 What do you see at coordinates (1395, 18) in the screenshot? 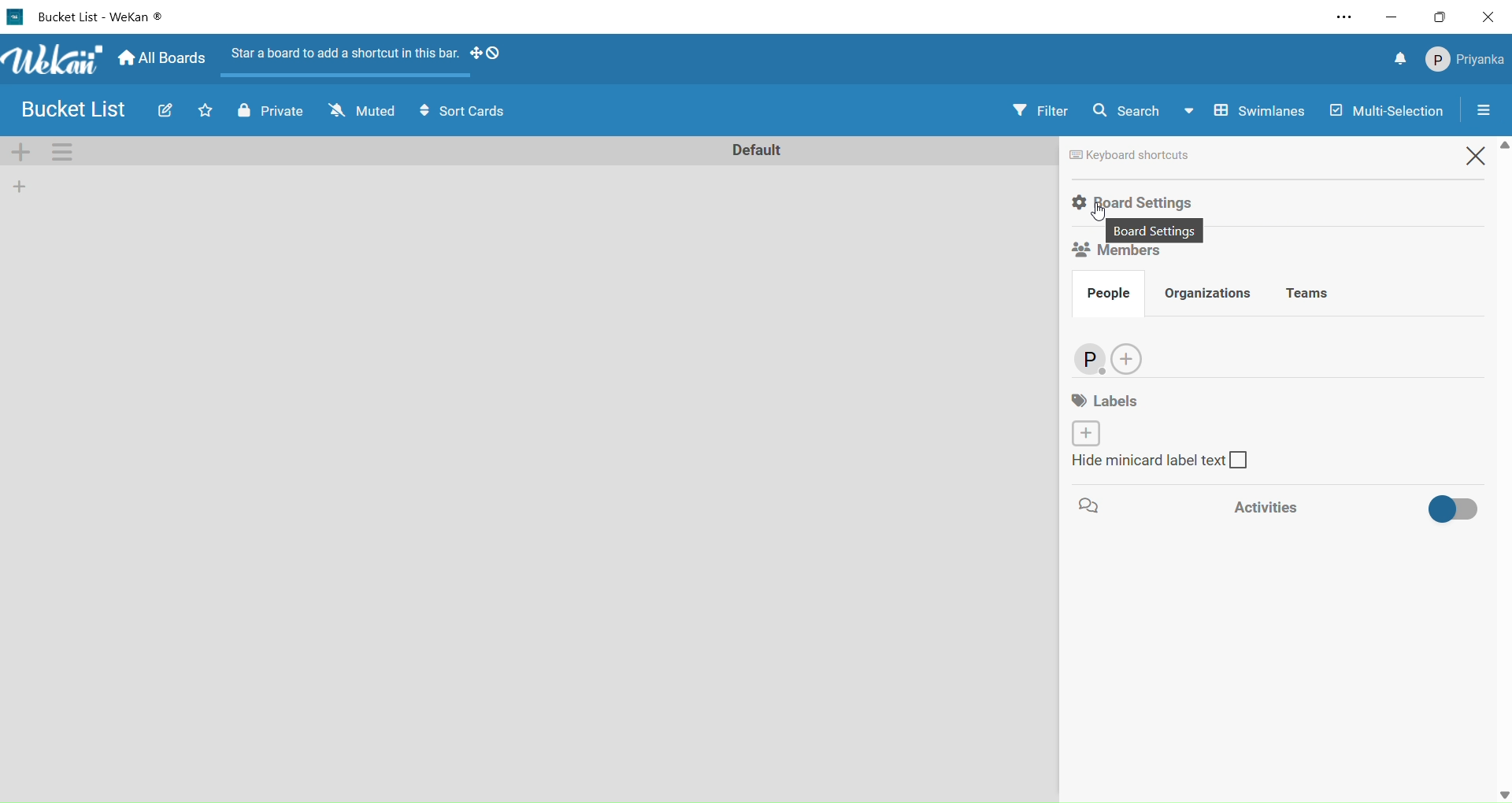
I see `minimize` at bounding box center [1395, 18].